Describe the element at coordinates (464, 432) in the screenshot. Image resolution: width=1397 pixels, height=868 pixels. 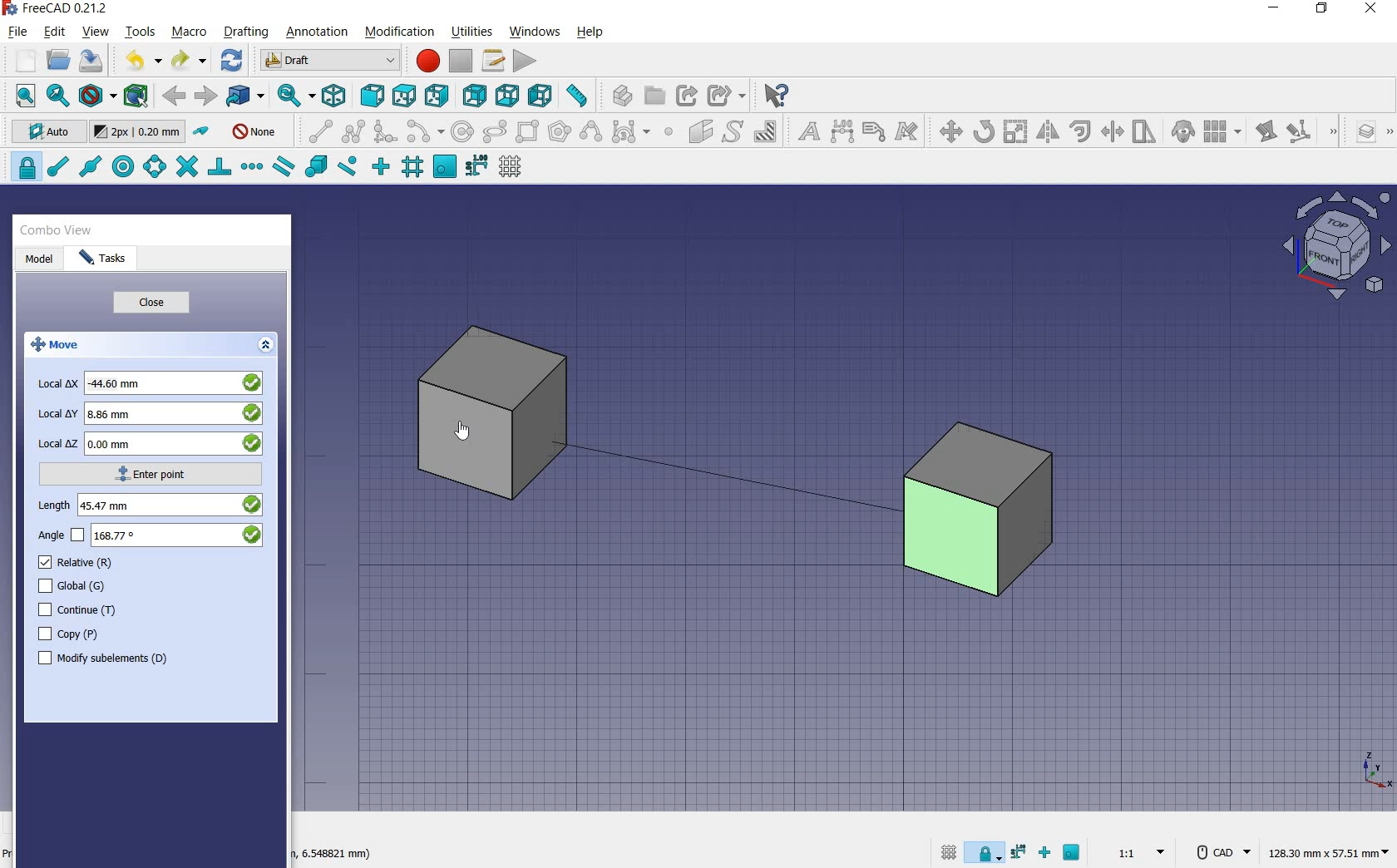
I see `cursor on object` at that location.